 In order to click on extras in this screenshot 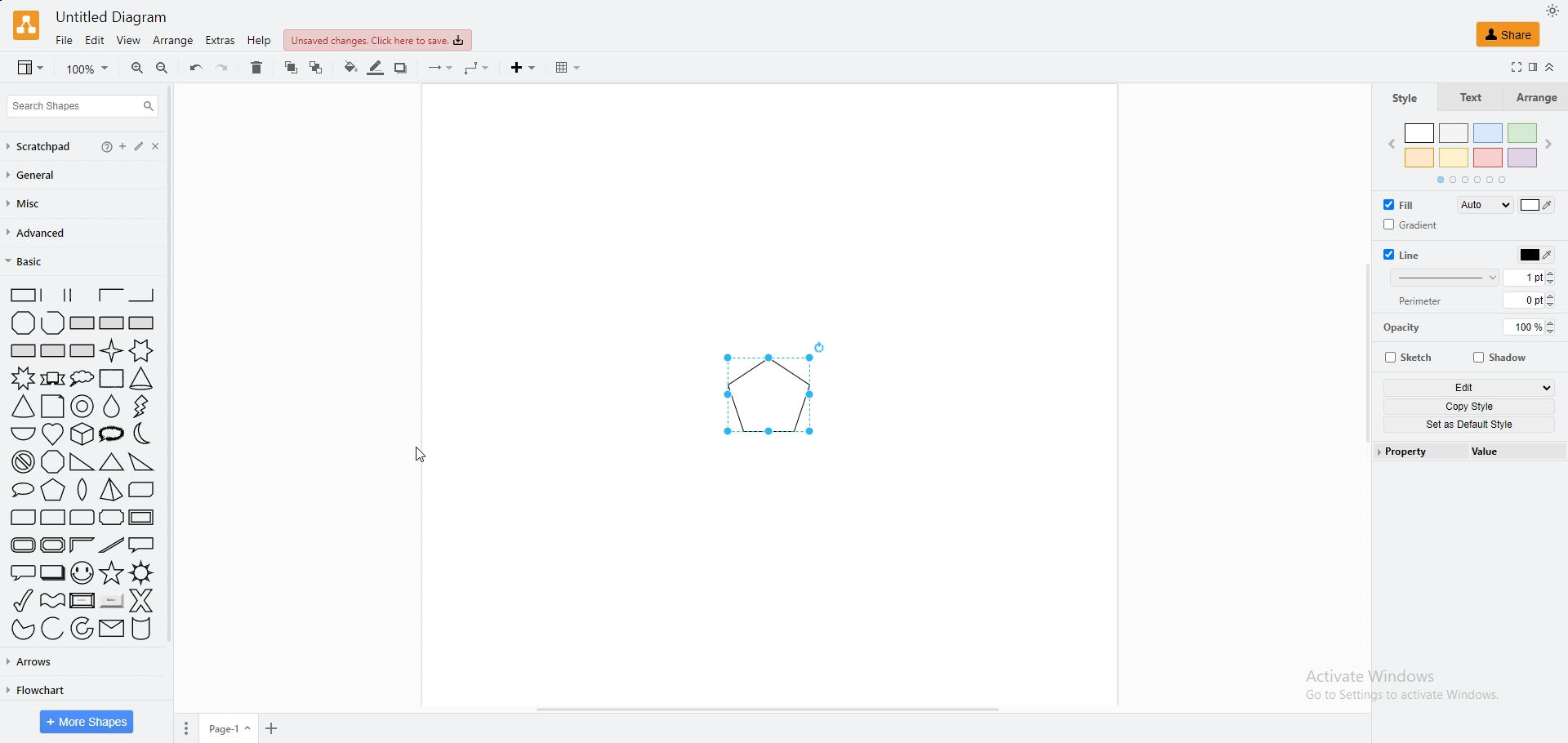, I will do `click(220, 40)`.